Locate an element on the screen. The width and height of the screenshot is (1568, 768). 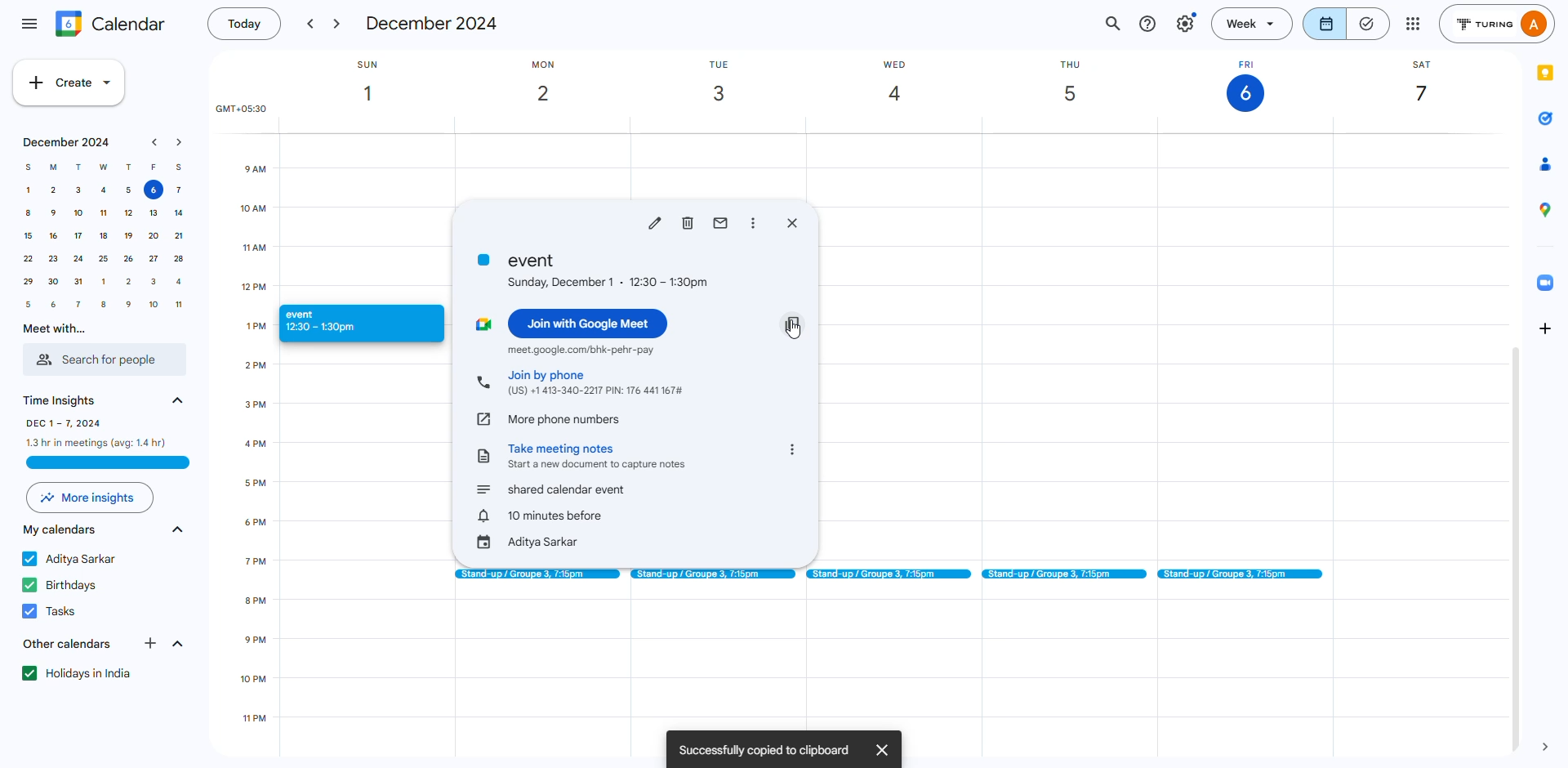
collapse is located at coordinates (177, 644).